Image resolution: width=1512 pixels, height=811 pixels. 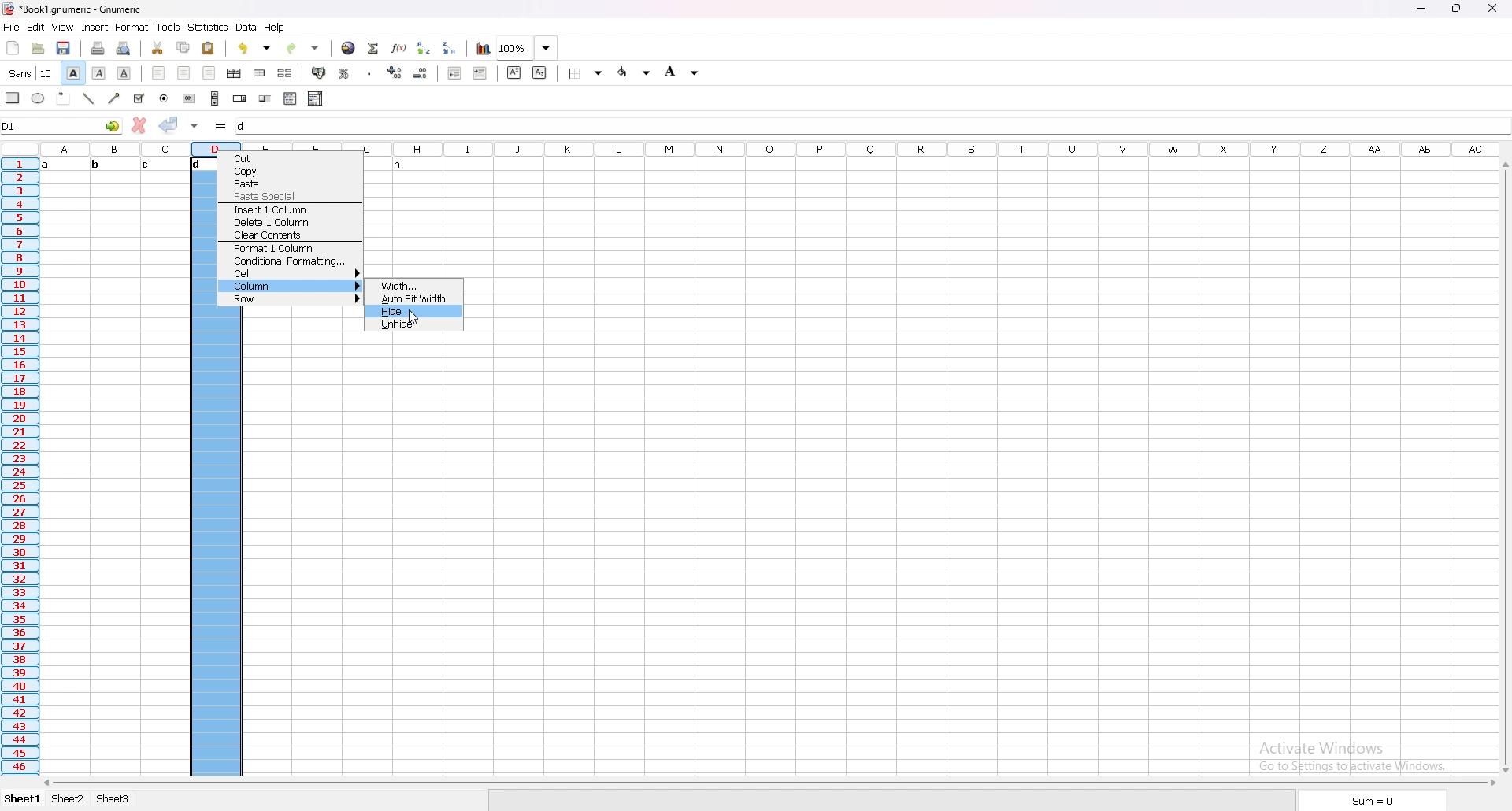 I want to click on selected cell, so click(x=62, y=126).